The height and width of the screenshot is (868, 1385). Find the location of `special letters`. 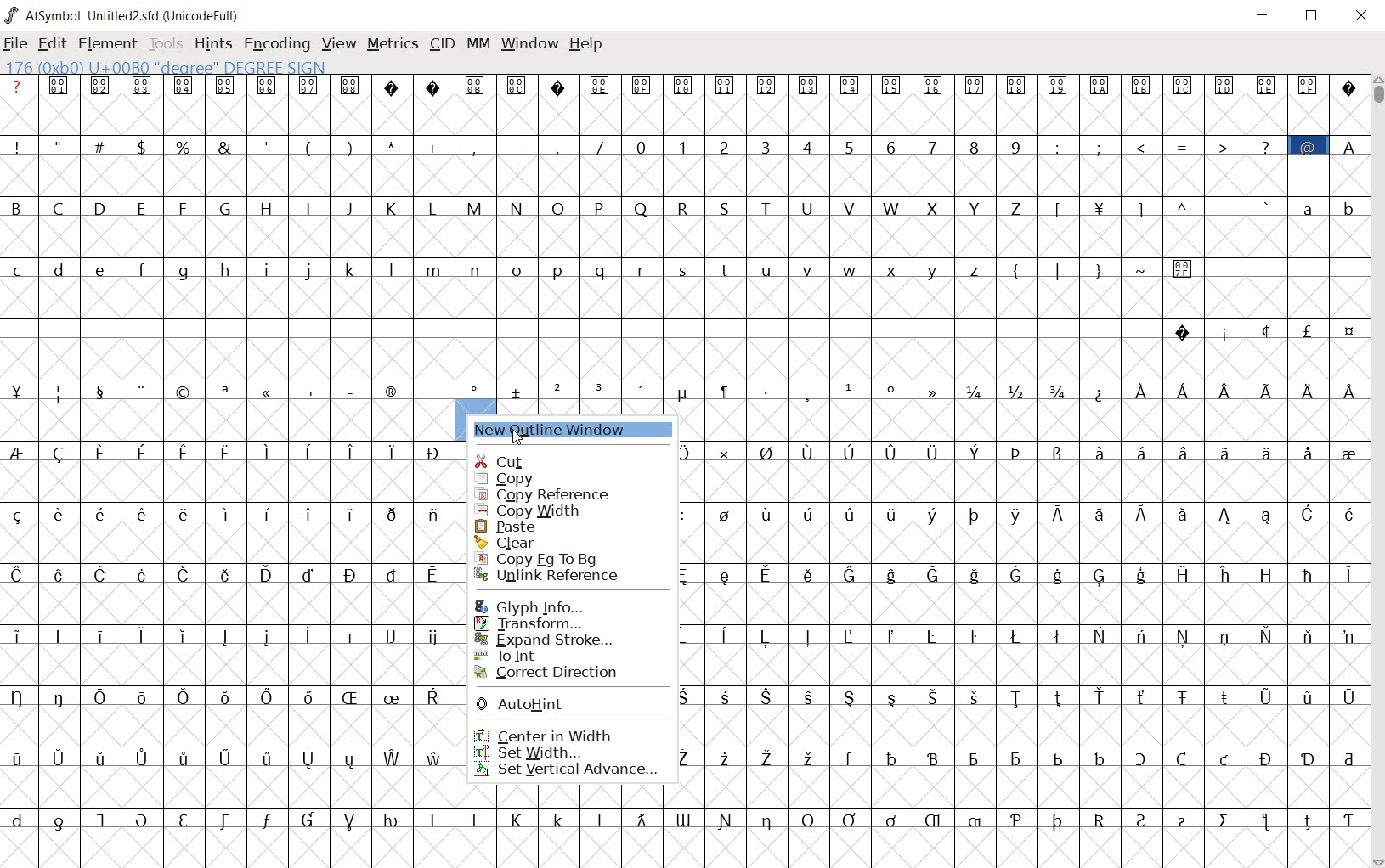

special letters is located at coordinates (233, 633).